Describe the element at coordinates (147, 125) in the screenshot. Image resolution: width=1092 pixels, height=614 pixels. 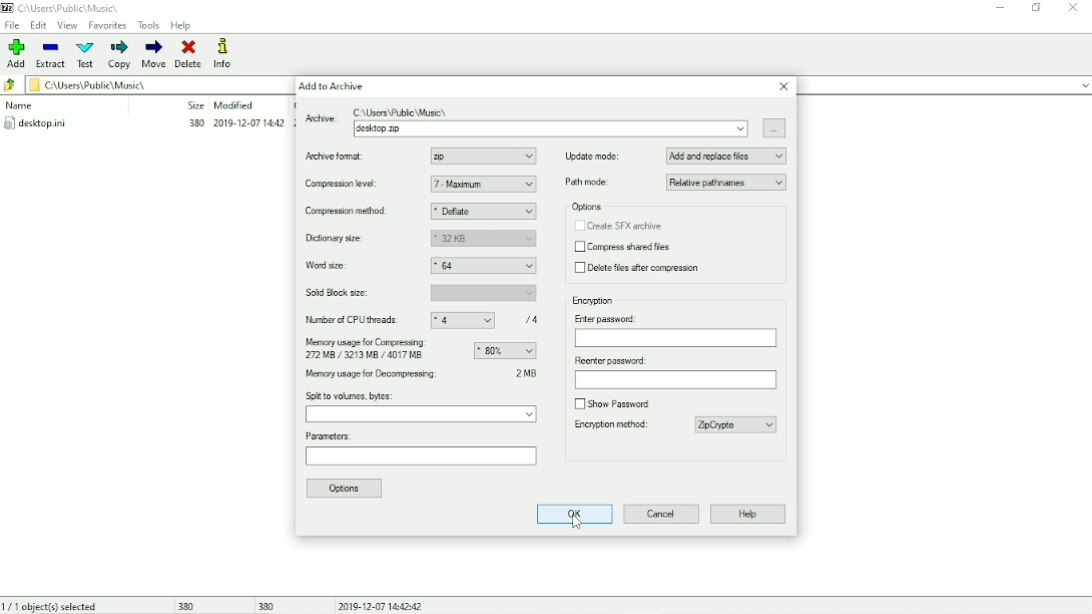
I see `desktop.ini` at that location.